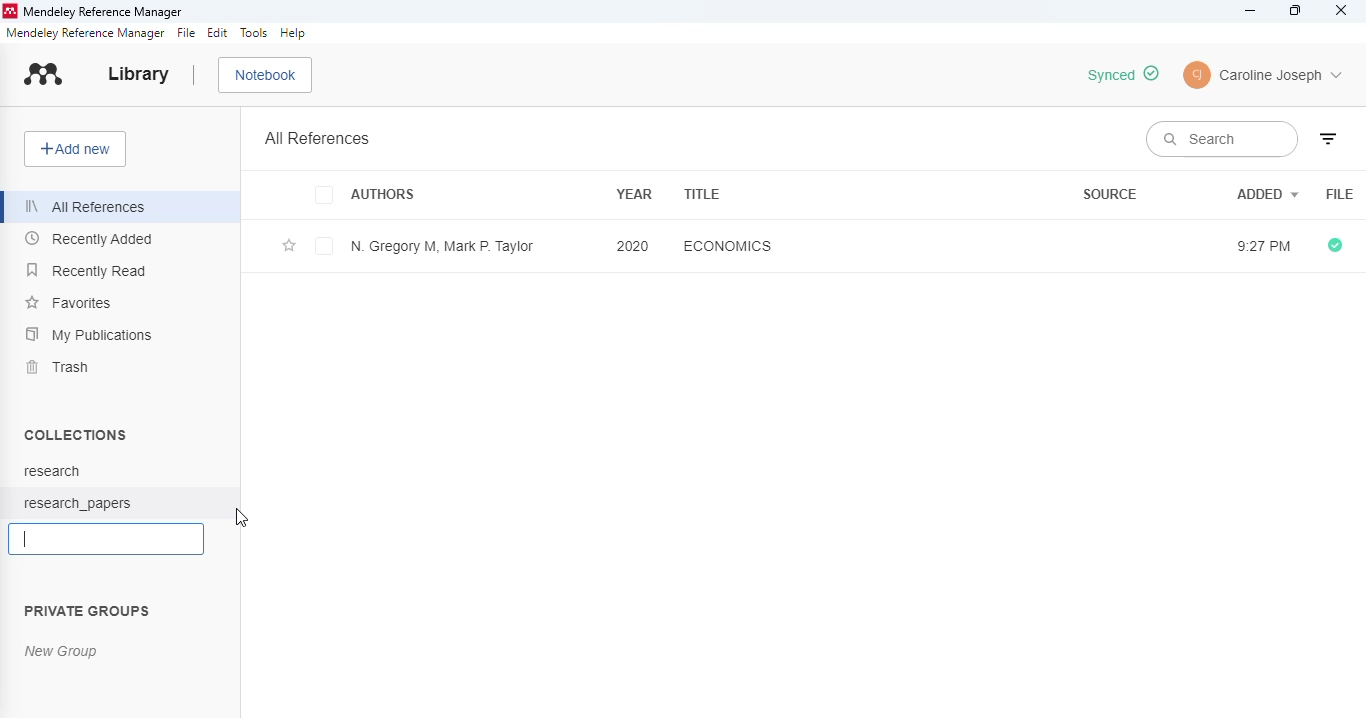 Image resolution: width=1366 pixels, height=718 pixels. Describe the element at coordinates (1282, 77) in the screenshot. I see `Caroline Joseph` at that location.